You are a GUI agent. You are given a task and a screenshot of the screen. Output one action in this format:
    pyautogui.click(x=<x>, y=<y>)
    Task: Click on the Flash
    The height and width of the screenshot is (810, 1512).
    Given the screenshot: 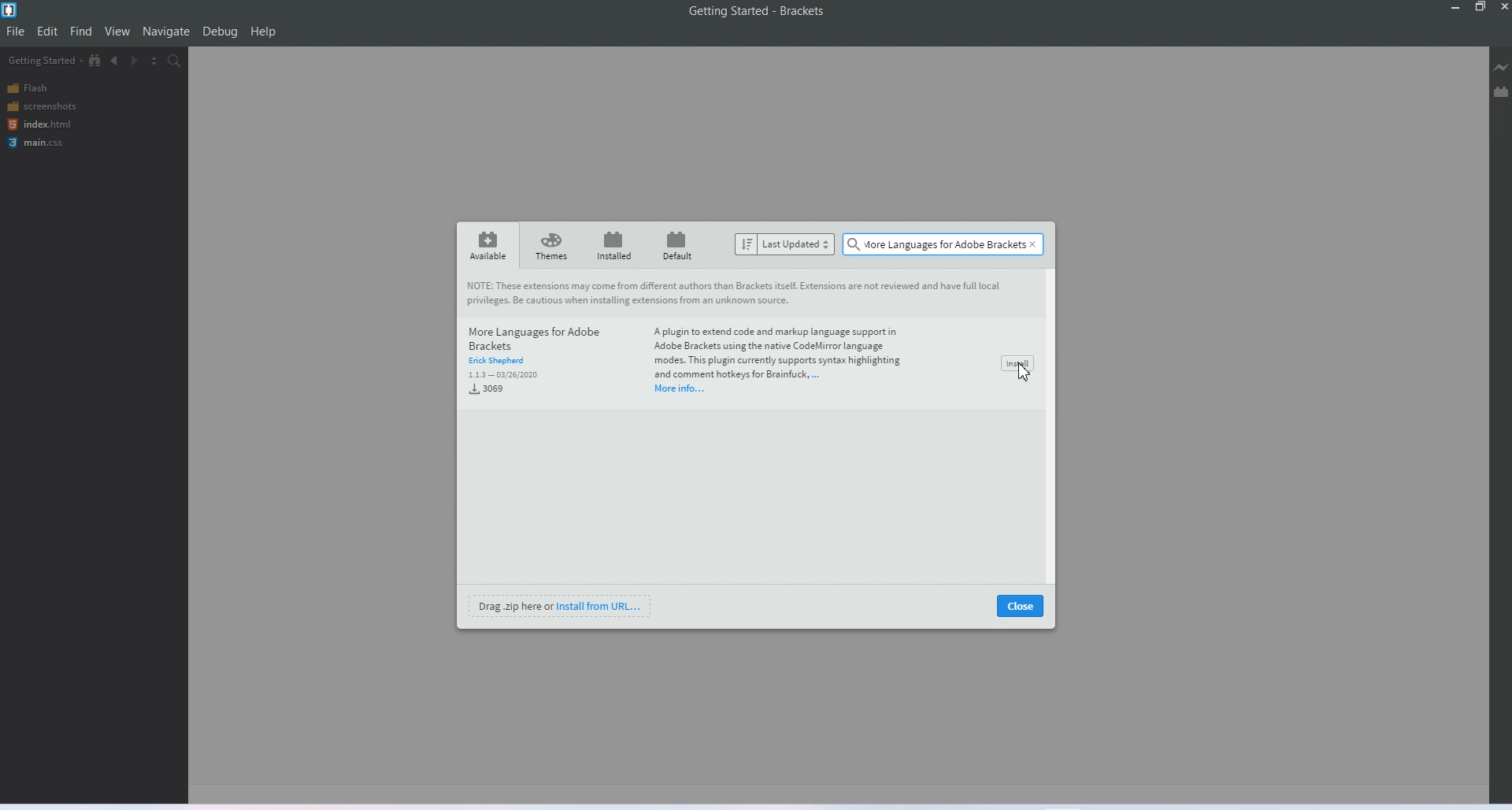 What is the action you would take?
    pyautogui.click(x=53, y=88)
    